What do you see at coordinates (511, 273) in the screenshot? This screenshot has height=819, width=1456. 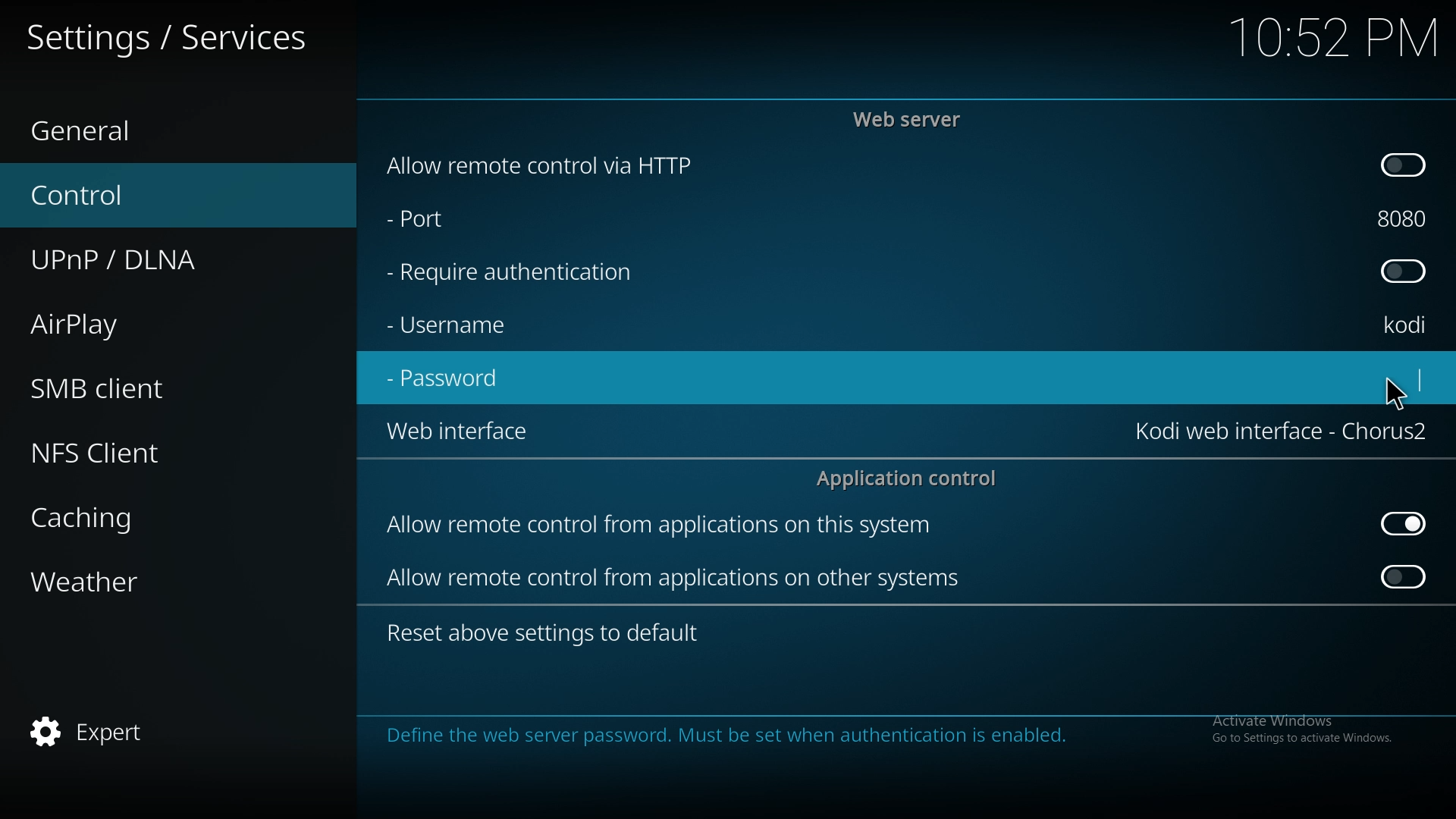 I see `require authentication` at bounding box center [511, 273].